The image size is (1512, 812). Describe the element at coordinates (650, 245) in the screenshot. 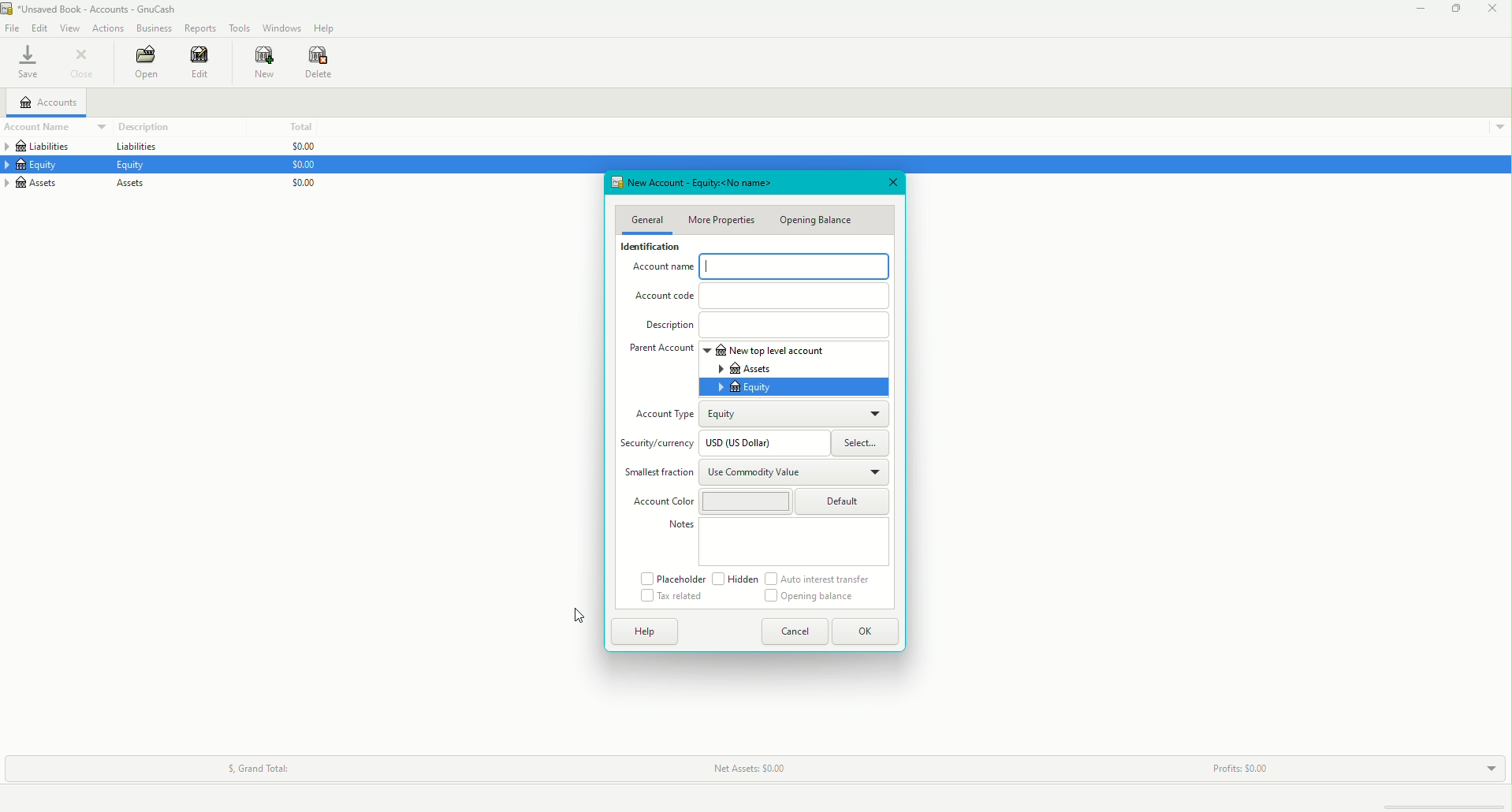

I see `Identification` at that location.